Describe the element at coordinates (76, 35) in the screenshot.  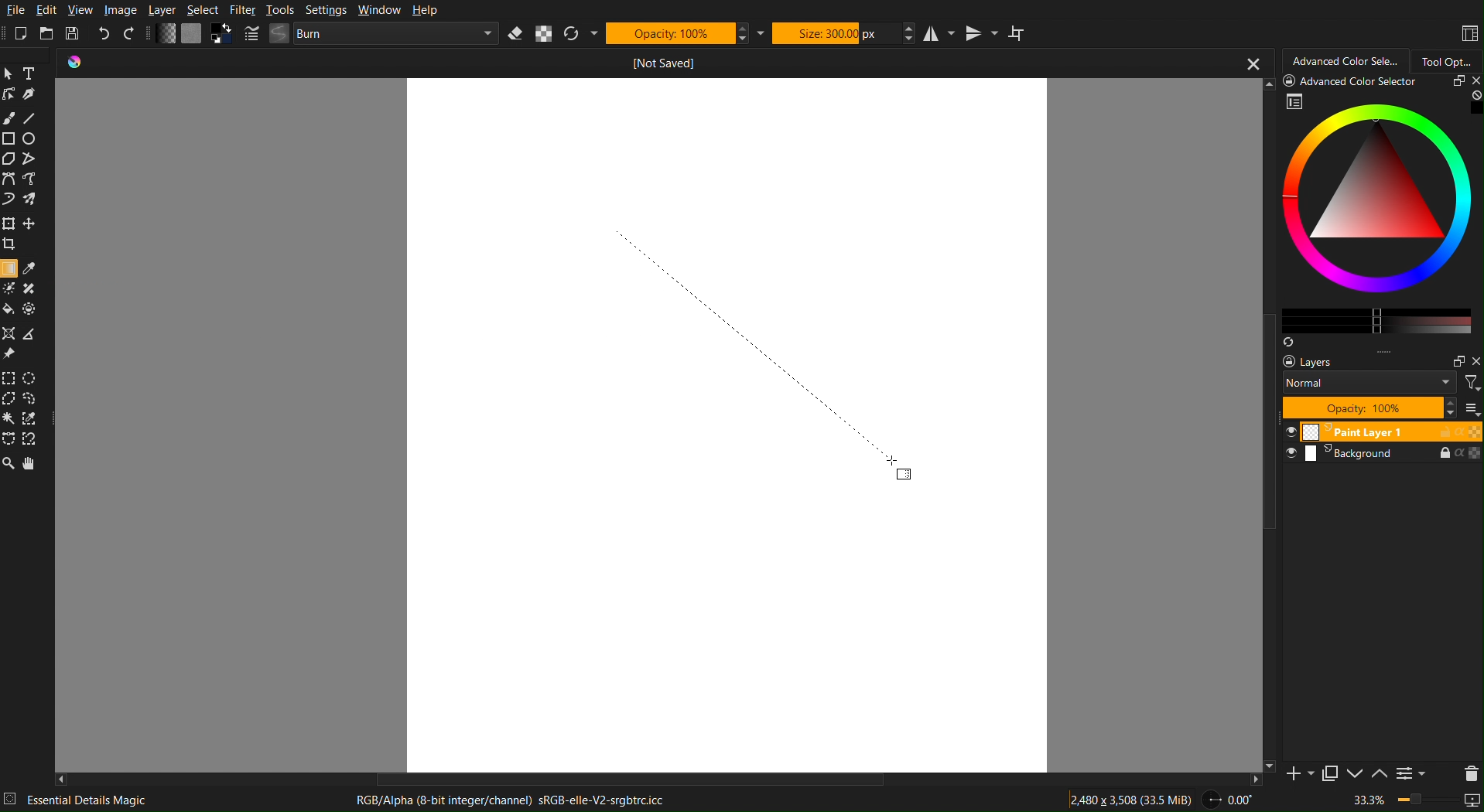
I see `Save` at that location.